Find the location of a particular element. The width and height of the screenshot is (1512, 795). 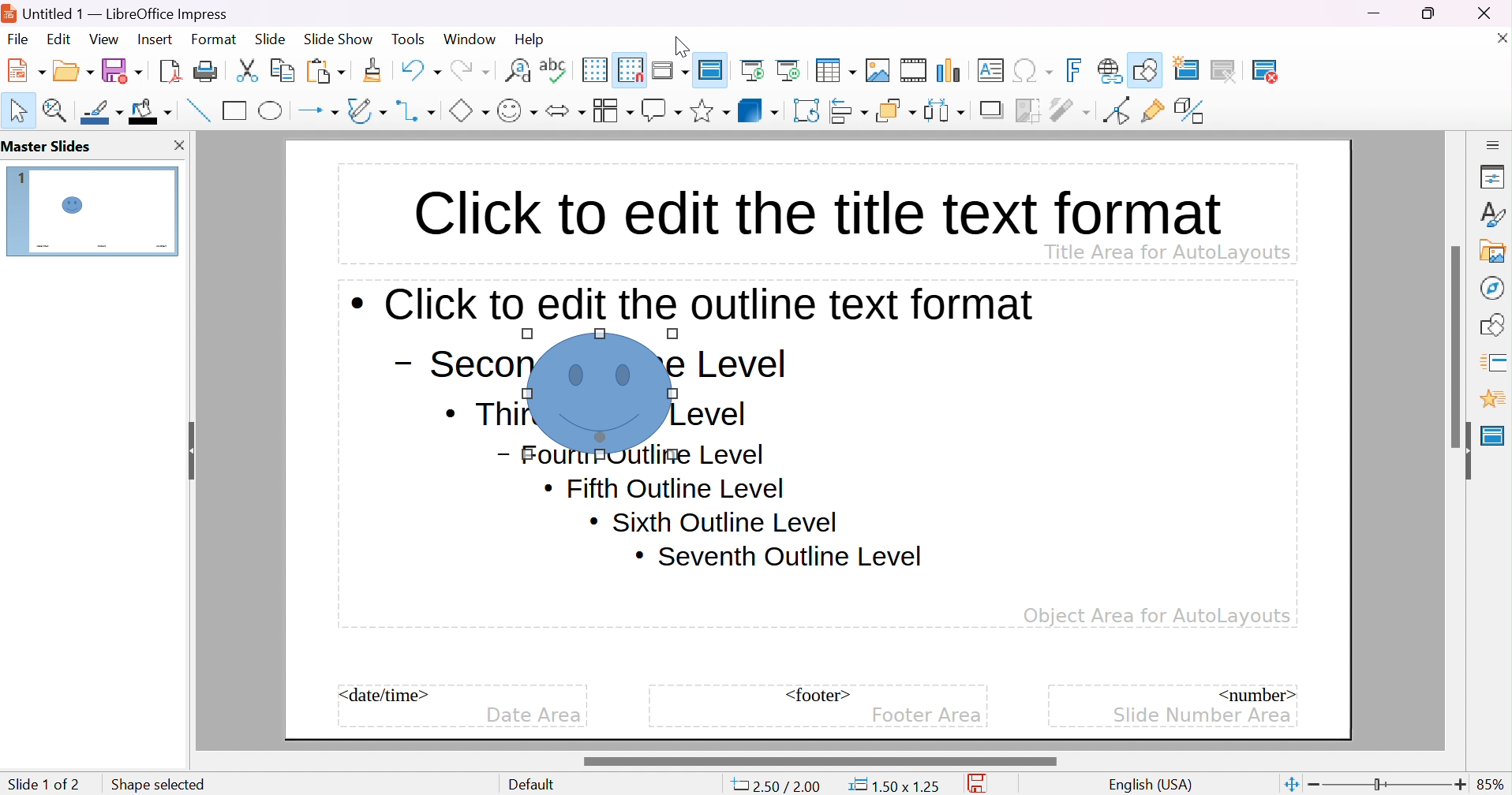

close is located at coordinates (1499, 37).